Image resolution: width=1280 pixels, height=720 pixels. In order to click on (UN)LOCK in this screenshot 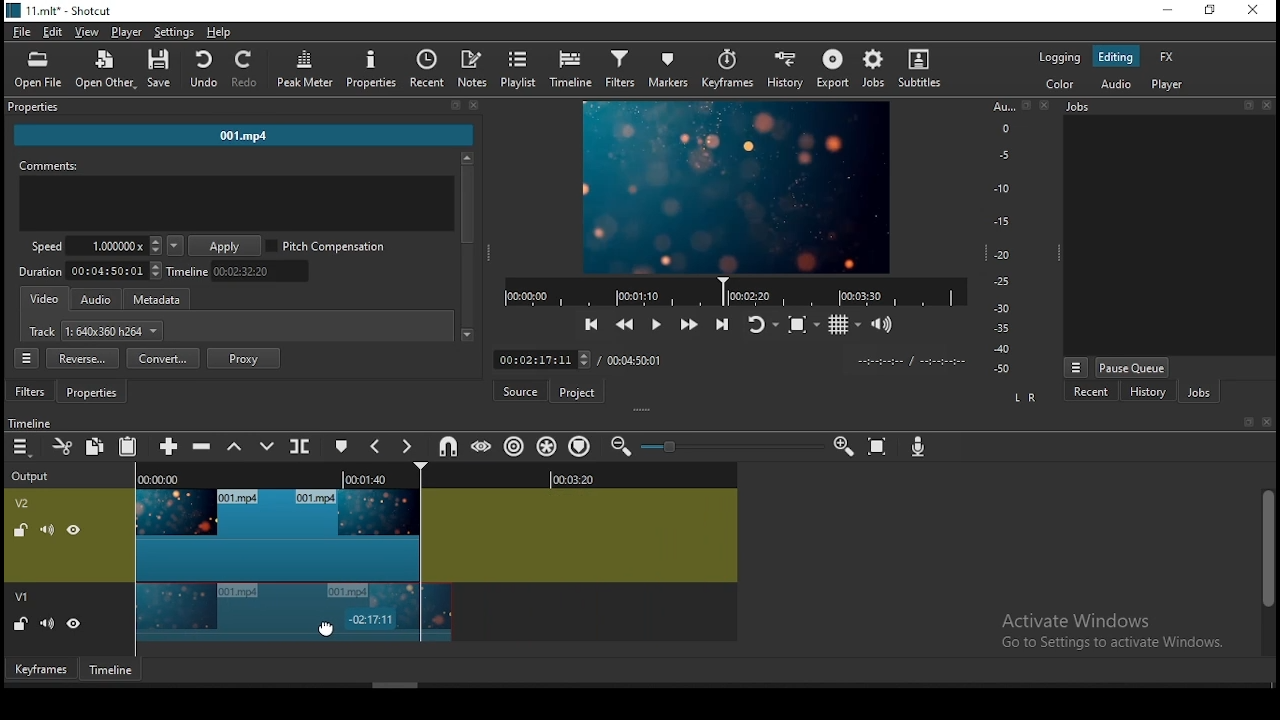, I will do `click(20, 625)`.